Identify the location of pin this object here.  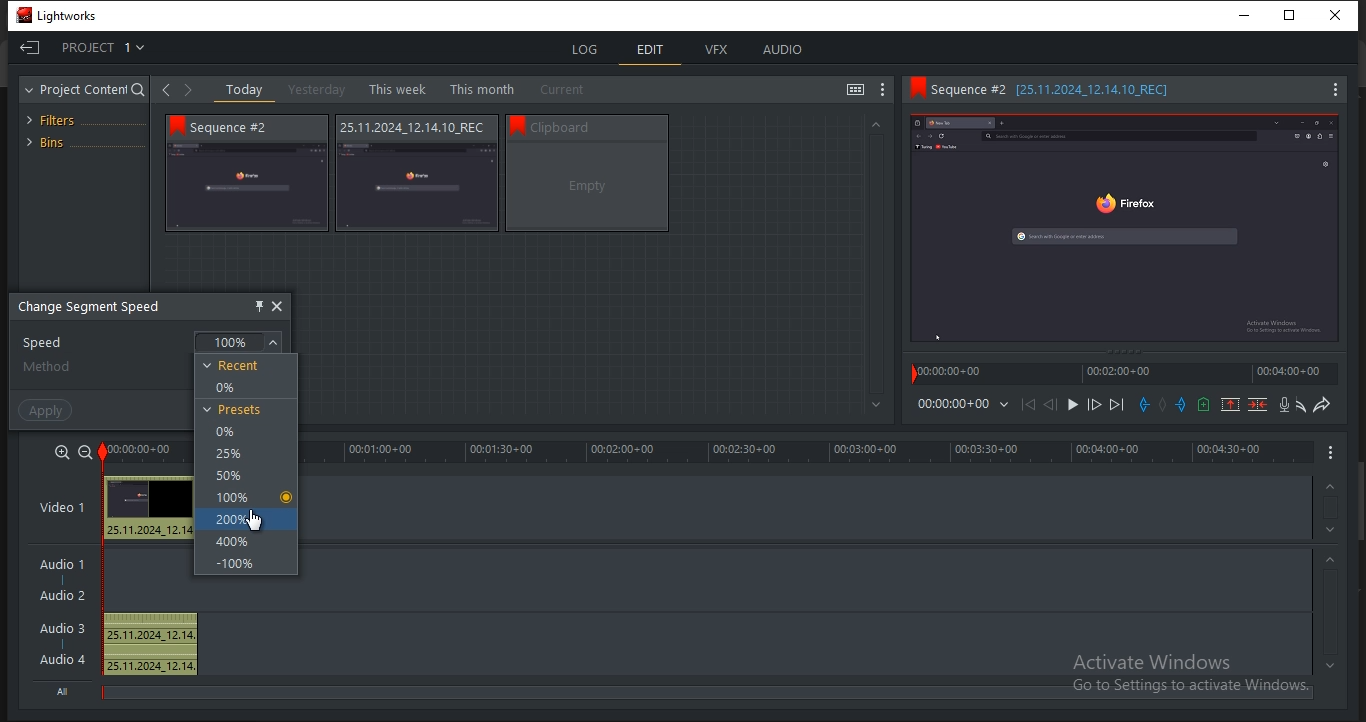
(260, 306).